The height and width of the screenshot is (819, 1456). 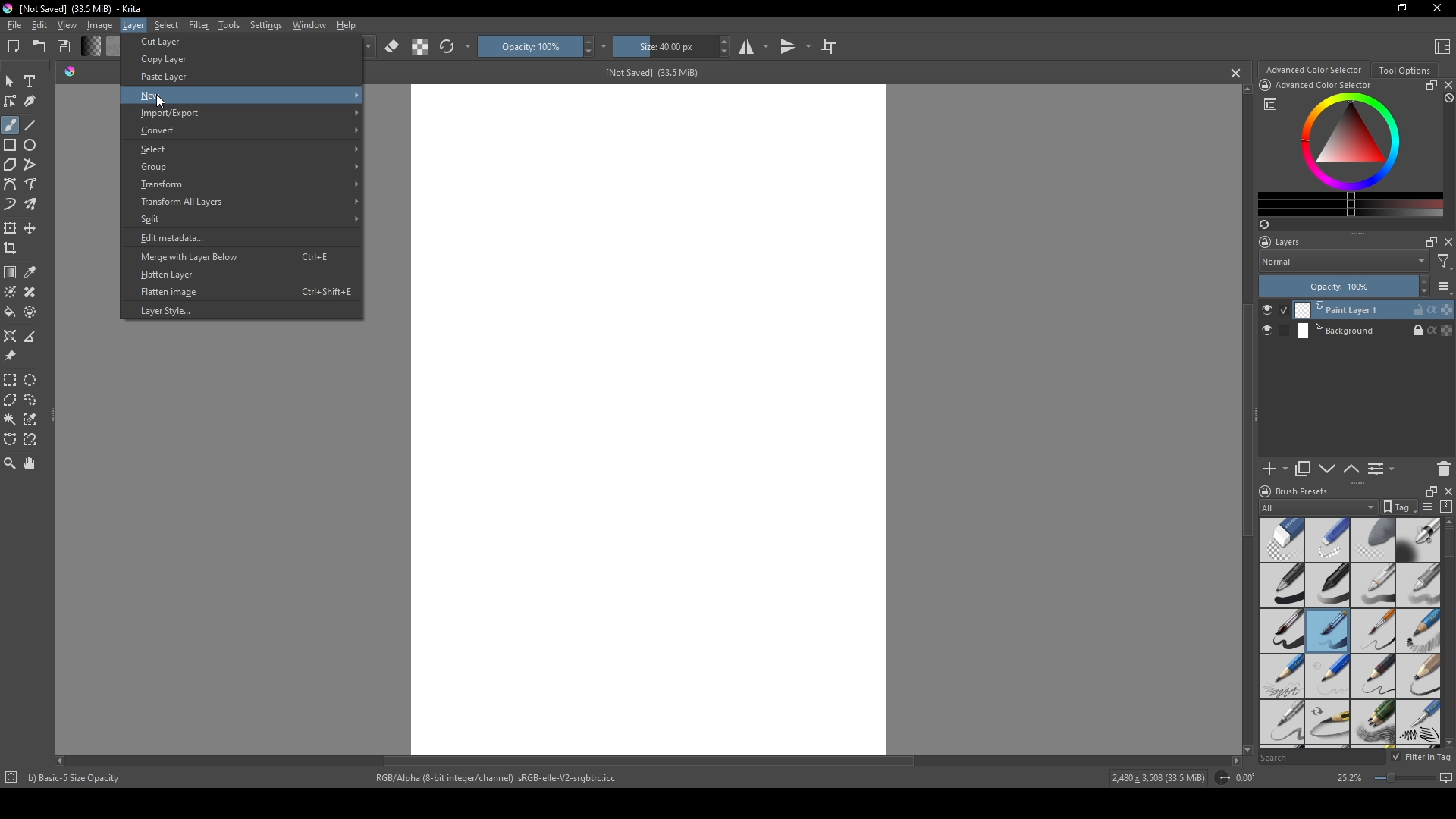 I want to click on Filter in tag, so click(x=1423, y=758).